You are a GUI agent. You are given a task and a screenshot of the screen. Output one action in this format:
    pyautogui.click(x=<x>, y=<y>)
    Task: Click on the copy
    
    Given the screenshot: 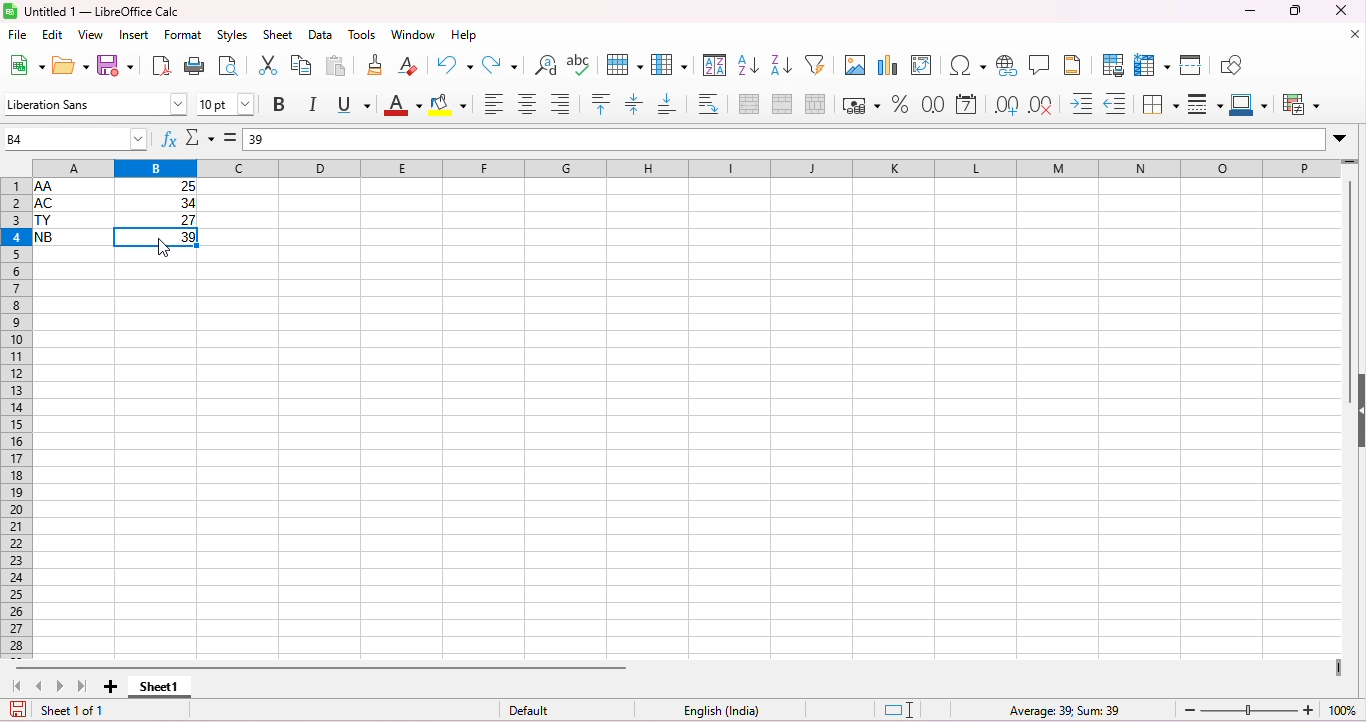 What is the action you would take?
    pyautogui.click(x=301, y=65)
    